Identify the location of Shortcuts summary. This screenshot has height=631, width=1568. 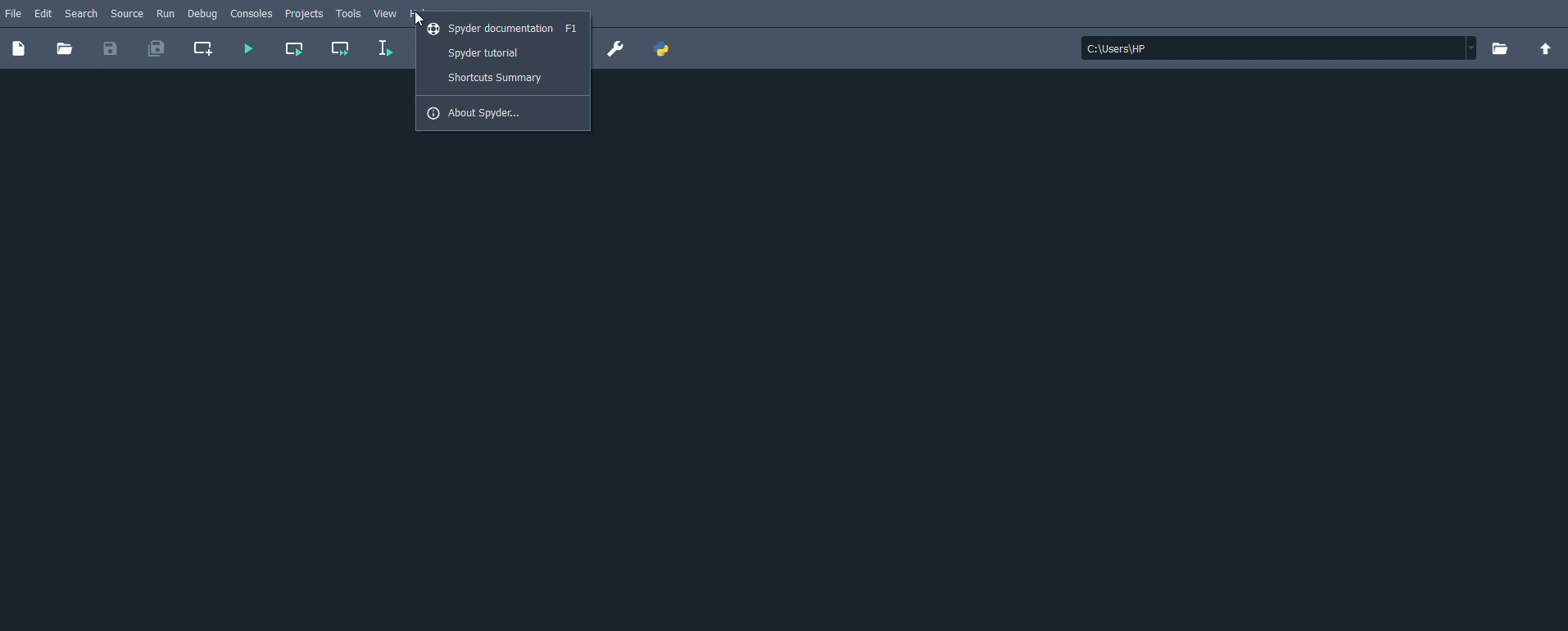
(492, 79).